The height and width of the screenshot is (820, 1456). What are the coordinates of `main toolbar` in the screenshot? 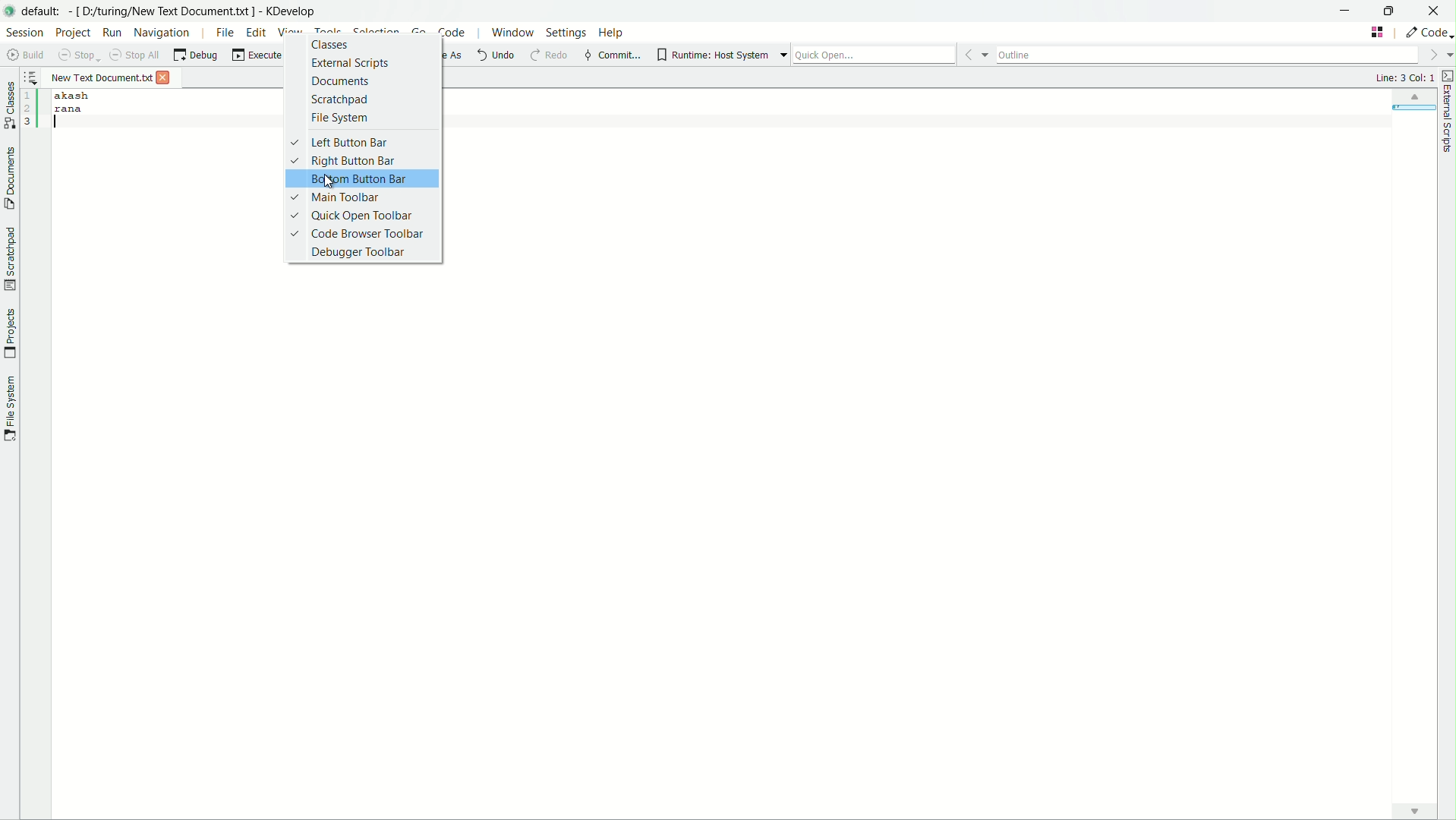 It's located at (333, 197).